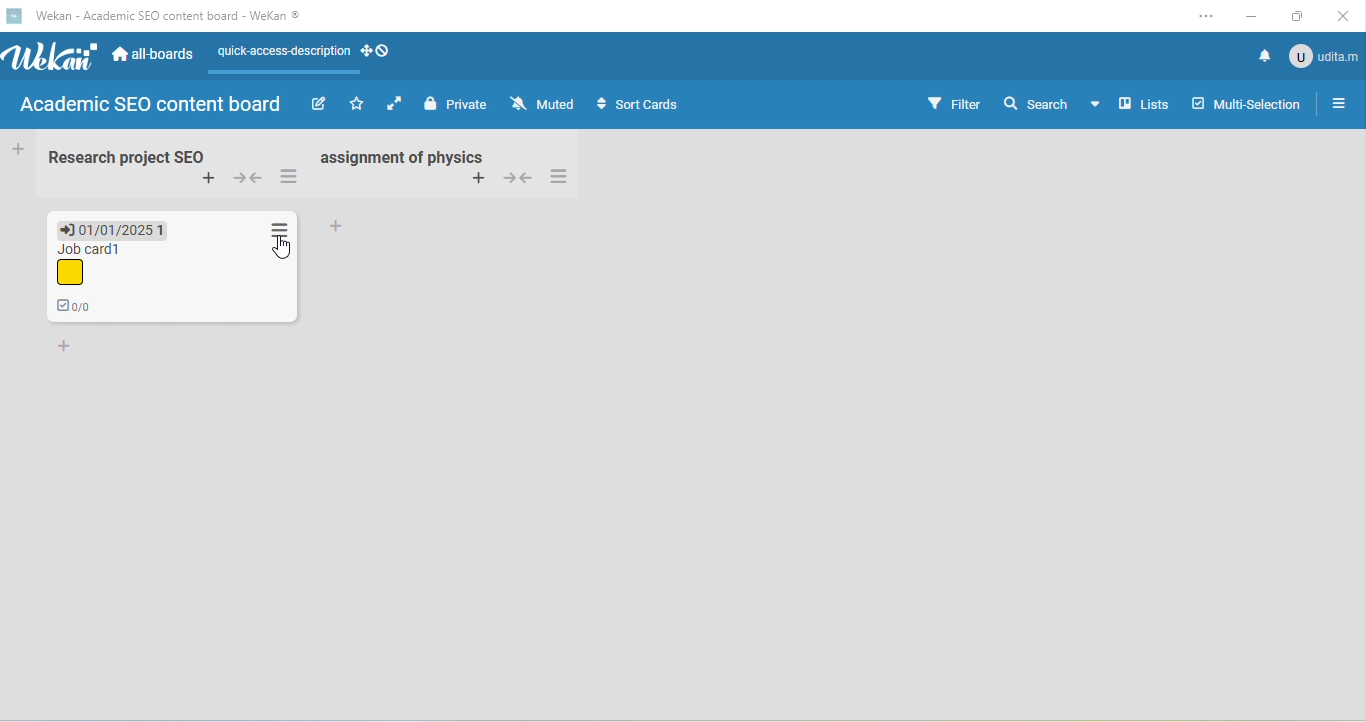 This screenshot has height=722, width=1366. What do you see at coordinates (123, 156) in the screenshot?
I see `research project seo` at bounding box center [123, 156].